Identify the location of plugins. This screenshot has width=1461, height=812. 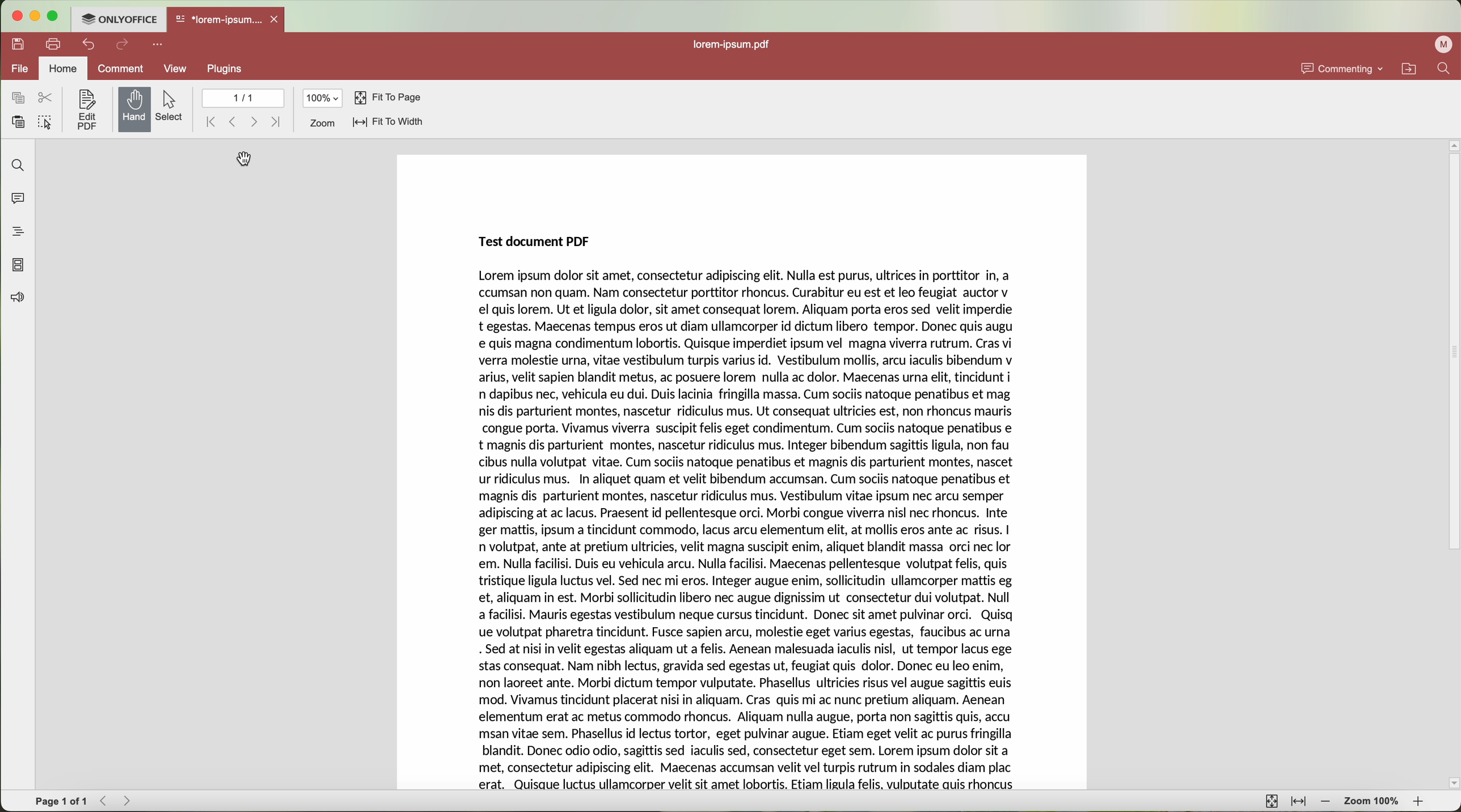
(225, 69).